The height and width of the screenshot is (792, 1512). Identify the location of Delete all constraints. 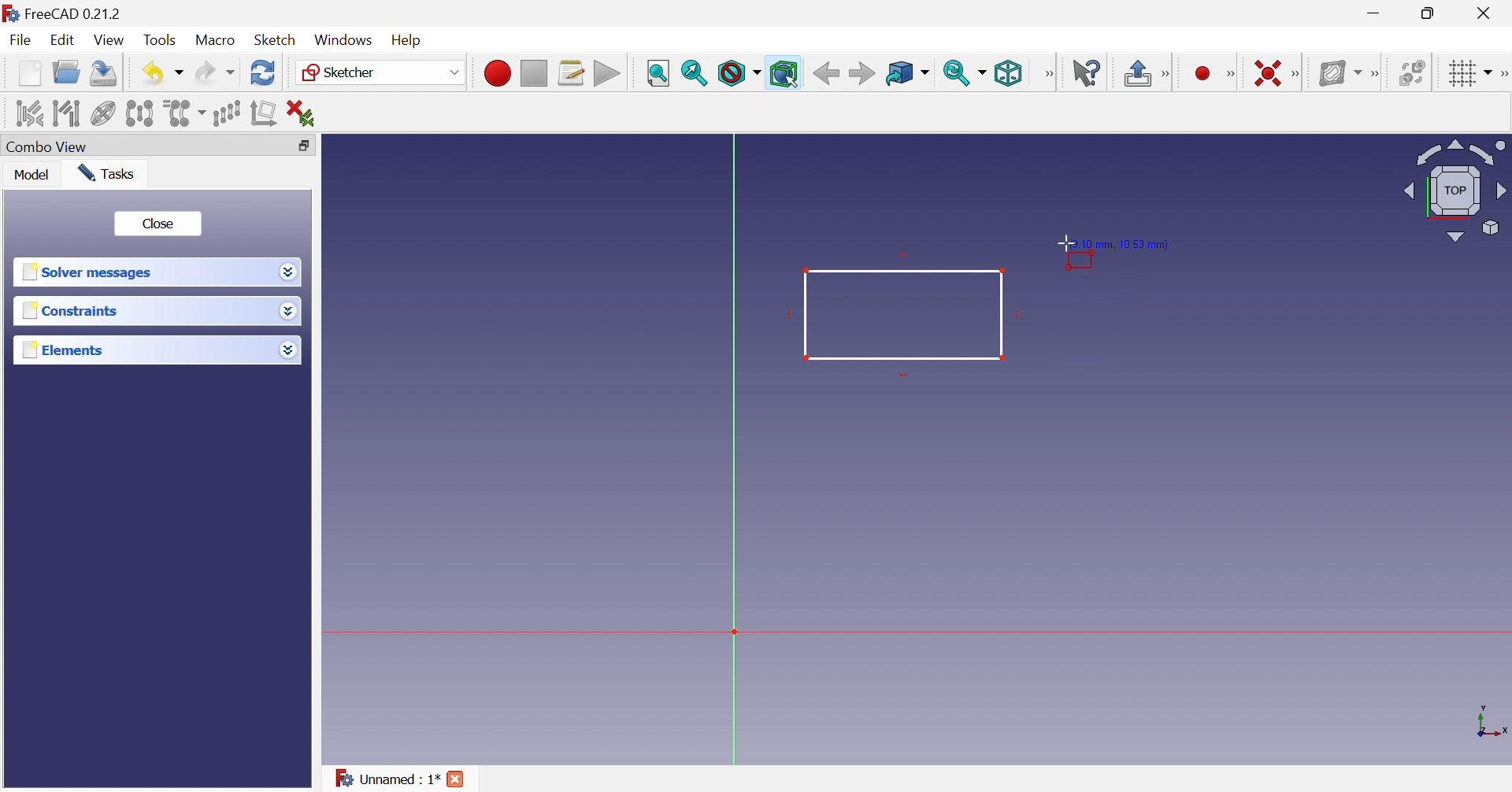
(301, 113).